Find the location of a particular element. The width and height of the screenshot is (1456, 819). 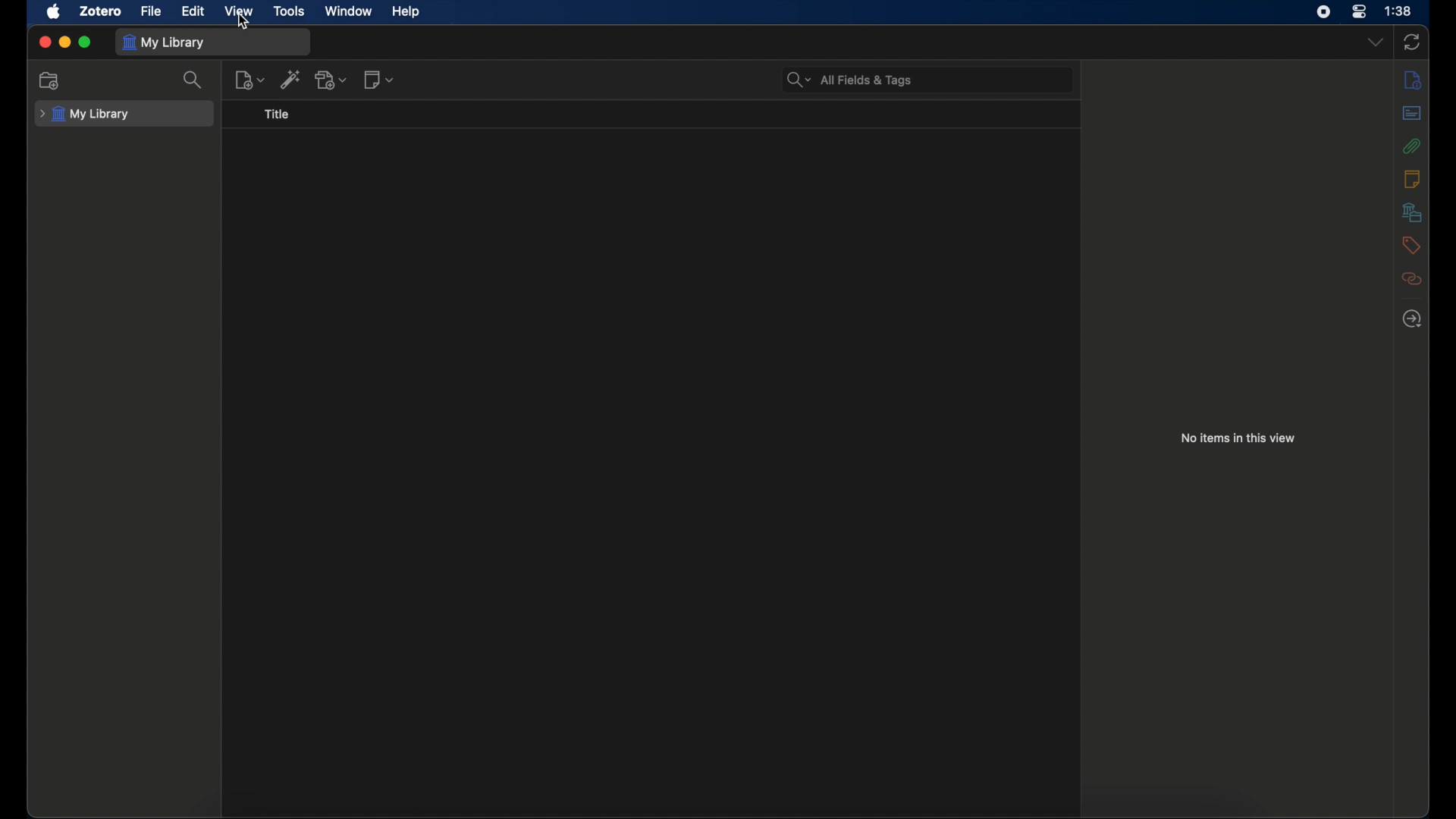

view is located at coordinates (238, 11).